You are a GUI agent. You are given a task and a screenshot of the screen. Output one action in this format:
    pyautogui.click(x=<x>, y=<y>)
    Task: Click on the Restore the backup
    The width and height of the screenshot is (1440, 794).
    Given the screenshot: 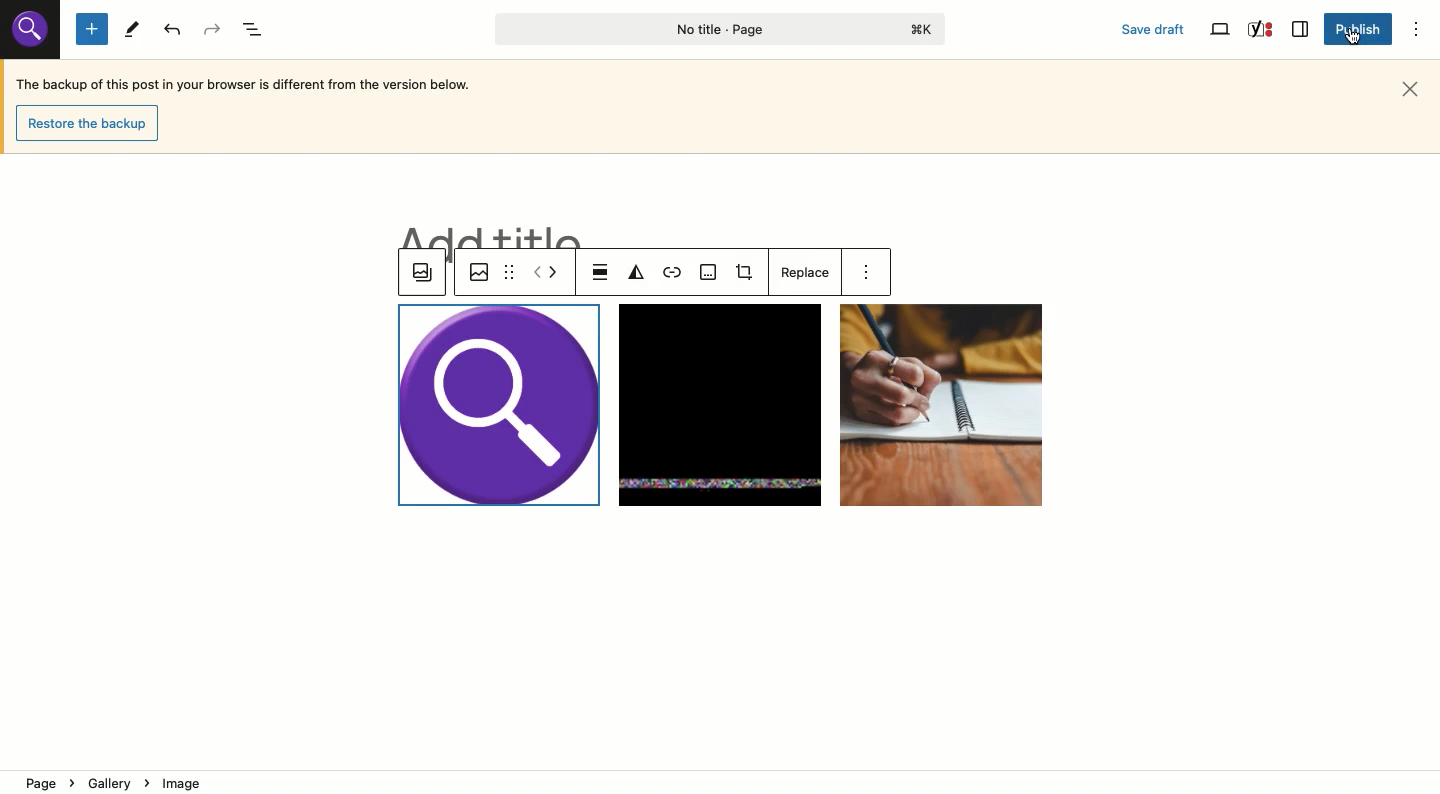 What is the action you would take?
    pyautogui.click(x=89, y=123)
    